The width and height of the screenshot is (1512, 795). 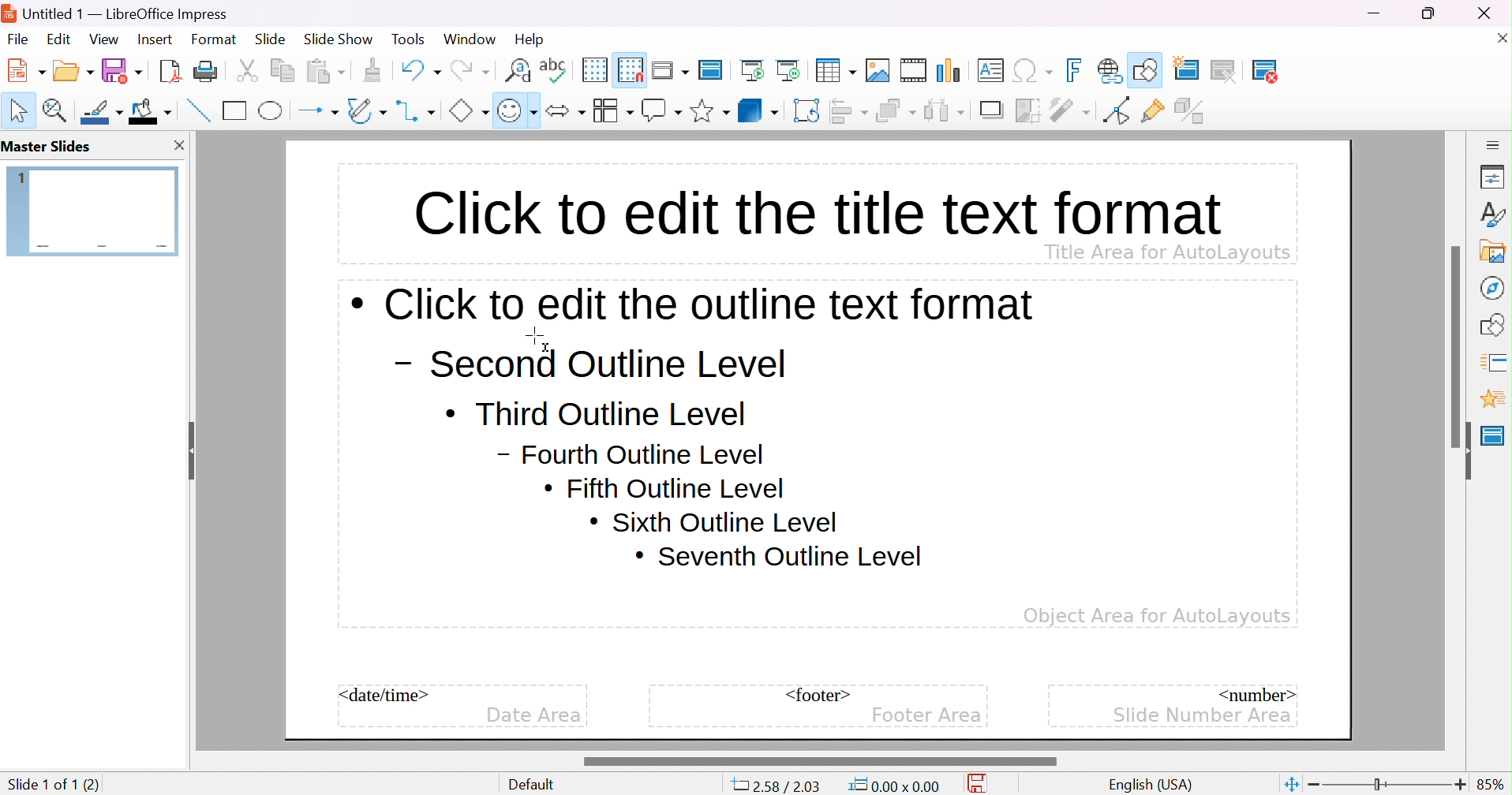 What do you see at coordinates (596, 412) in the screenshot?
I see `third outline level` at bounding box center [596, 412].